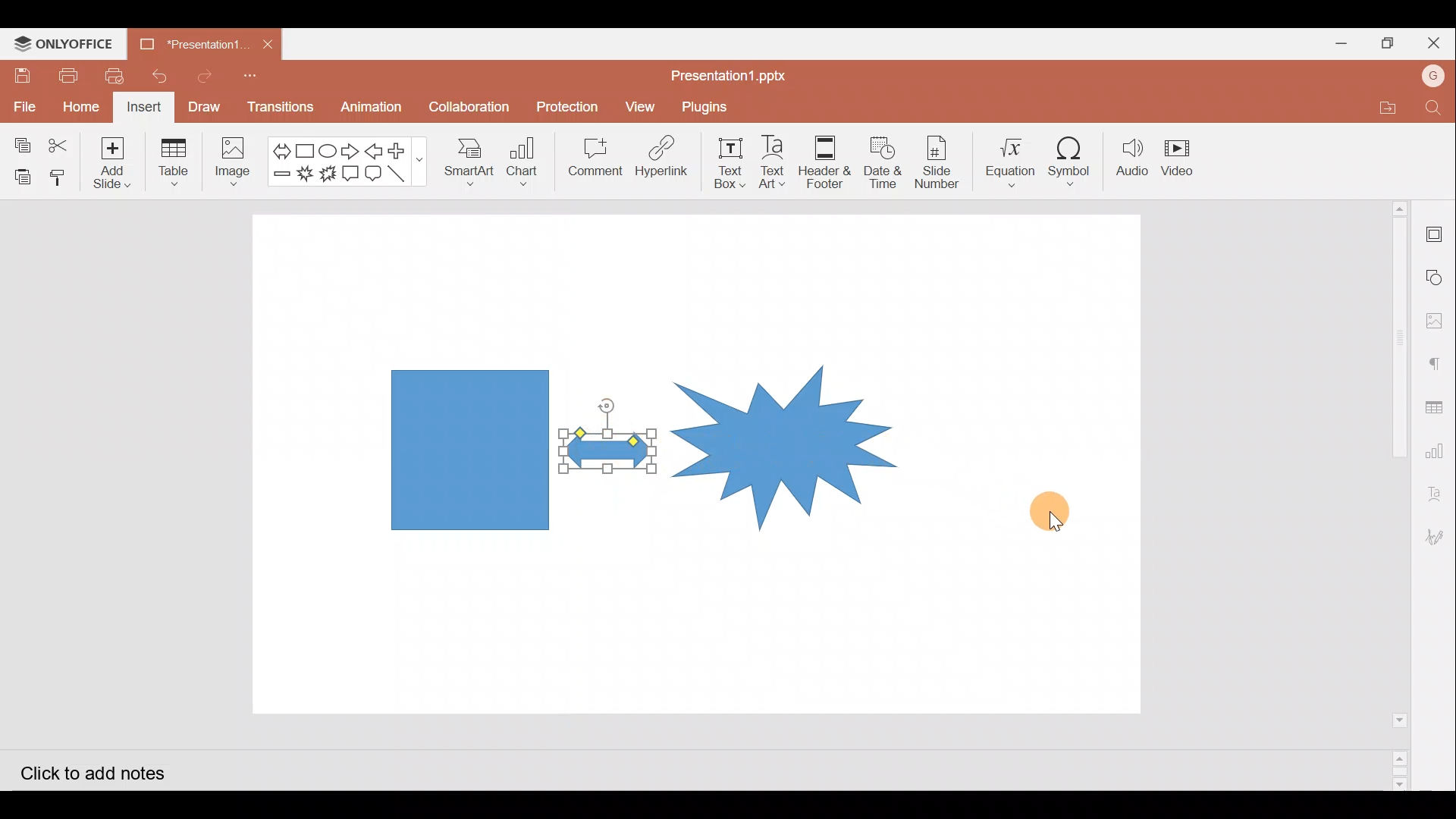  Describe the element at coordinates (1436, 275) in the screenshot. I see `Shapes settings` at that location.